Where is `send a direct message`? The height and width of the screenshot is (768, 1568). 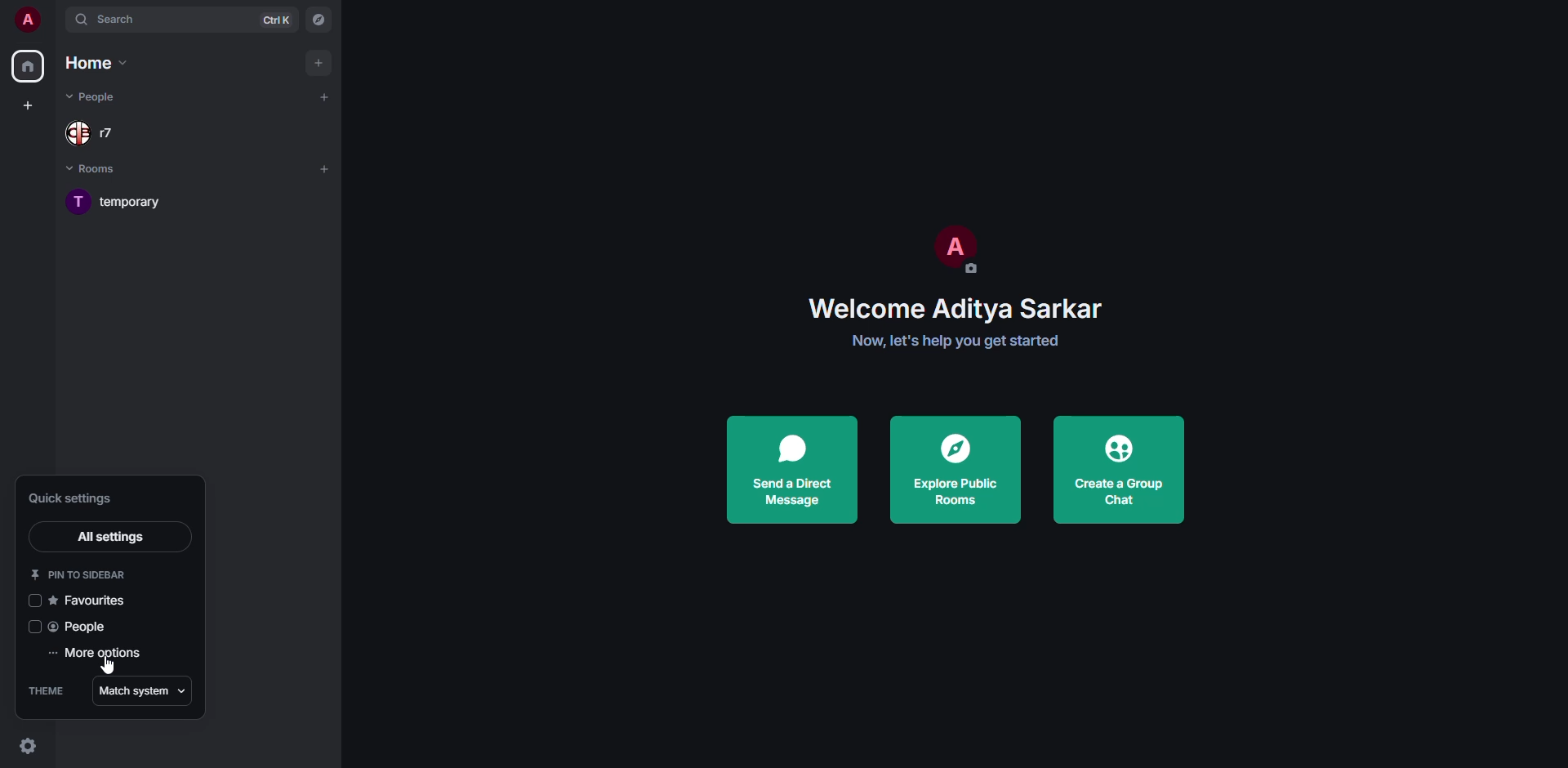 send a direct message is located at coordinates (794, 468).